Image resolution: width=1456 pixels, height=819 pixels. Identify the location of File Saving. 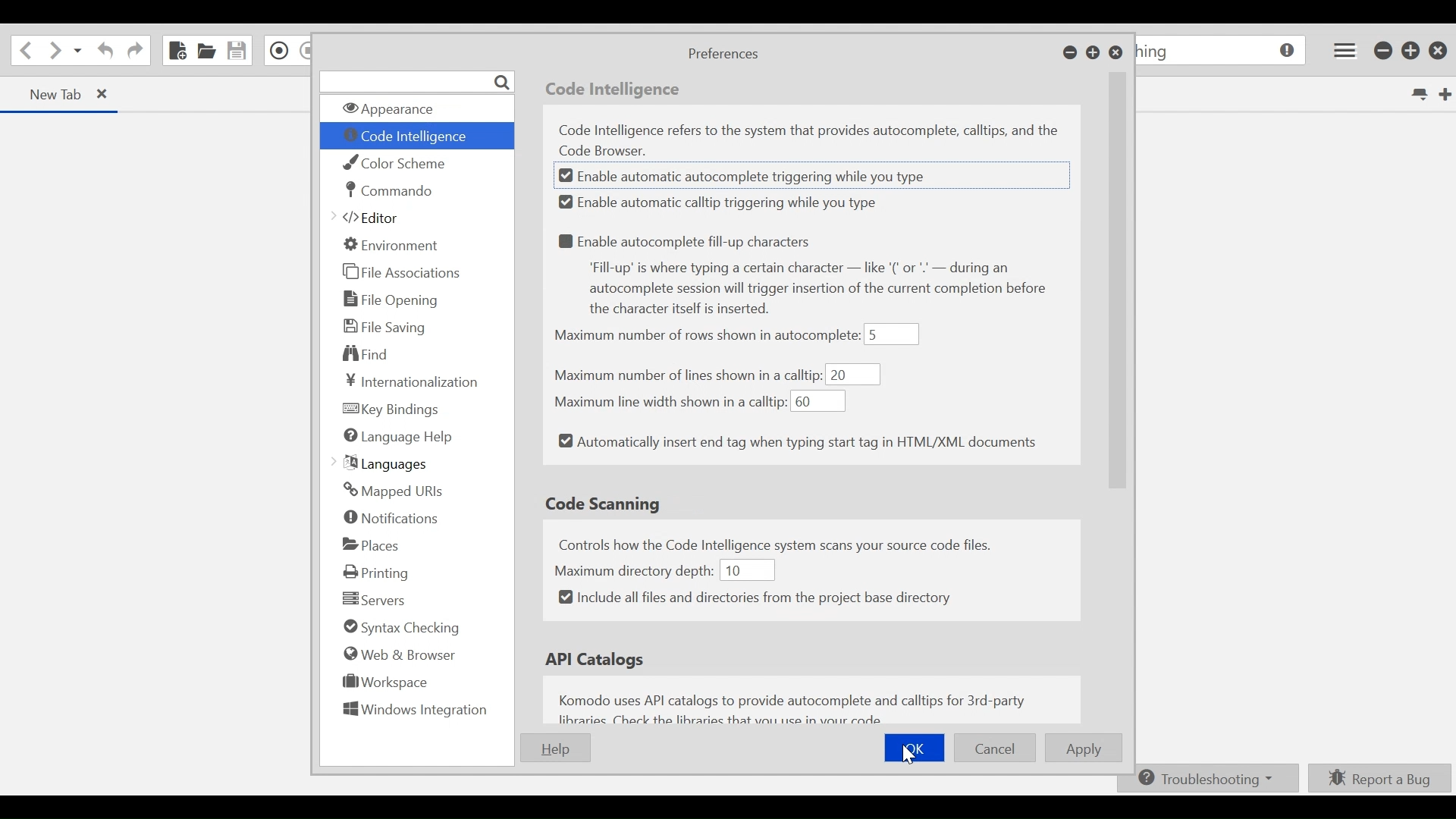
(385, 326).